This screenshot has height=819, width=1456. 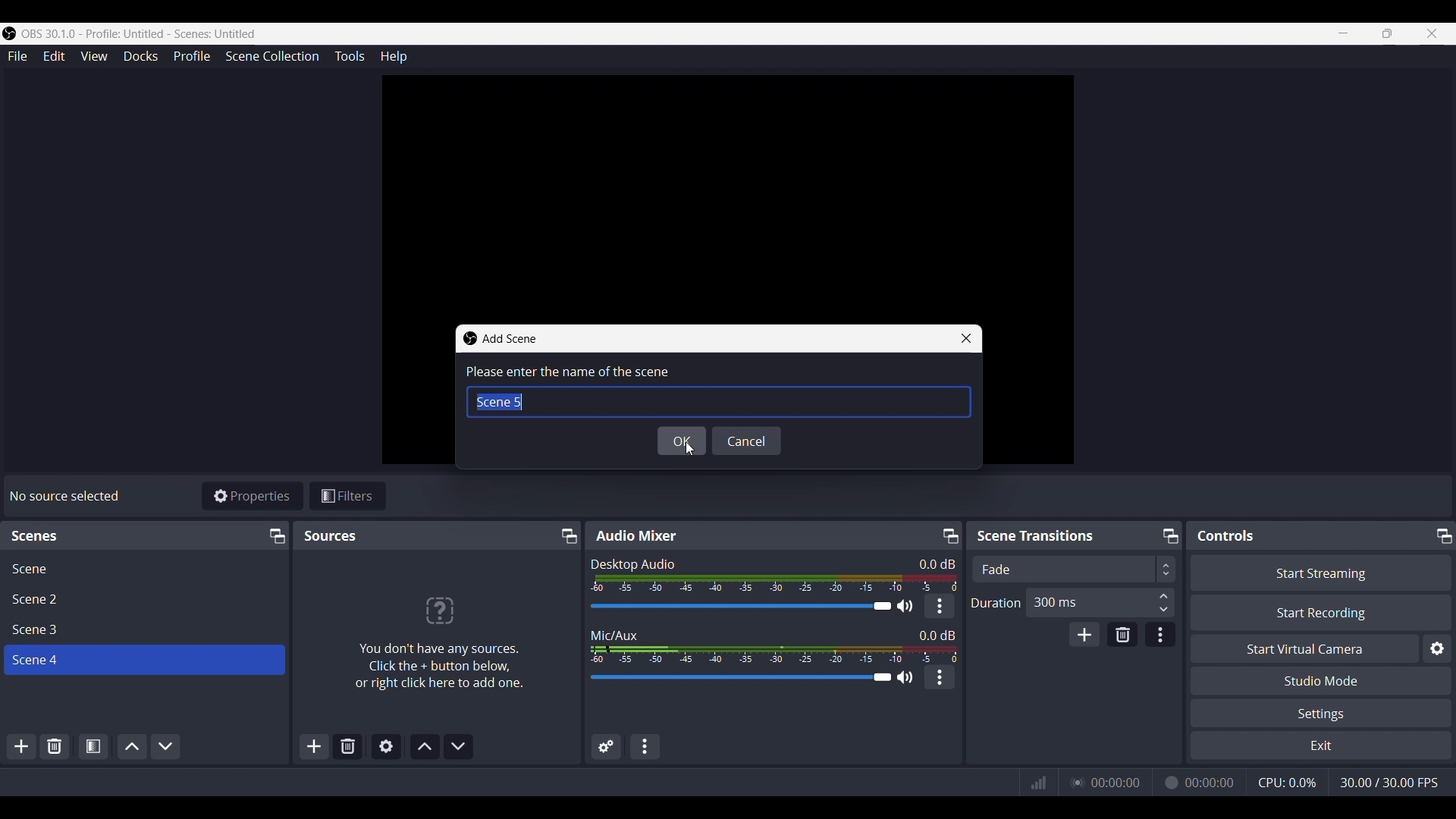 What do you see at coordinates (130, 745) in the screenshot?
I see `Move scene Up` at bounding box center [130, 745].